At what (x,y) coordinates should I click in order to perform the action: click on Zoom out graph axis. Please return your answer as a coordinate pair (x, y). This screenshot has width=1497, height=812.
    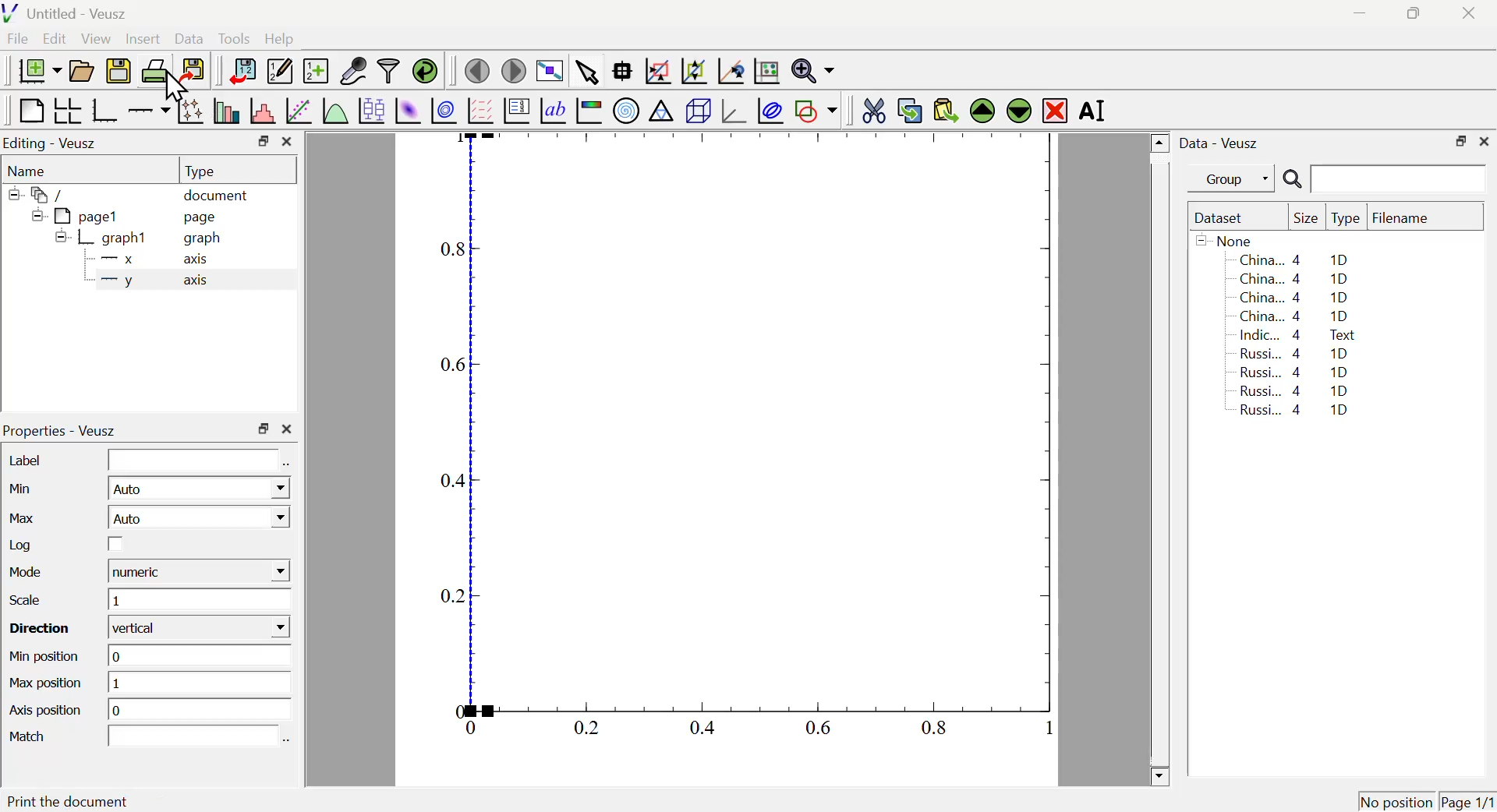
    Looking at the image, I should click on (693, 69).